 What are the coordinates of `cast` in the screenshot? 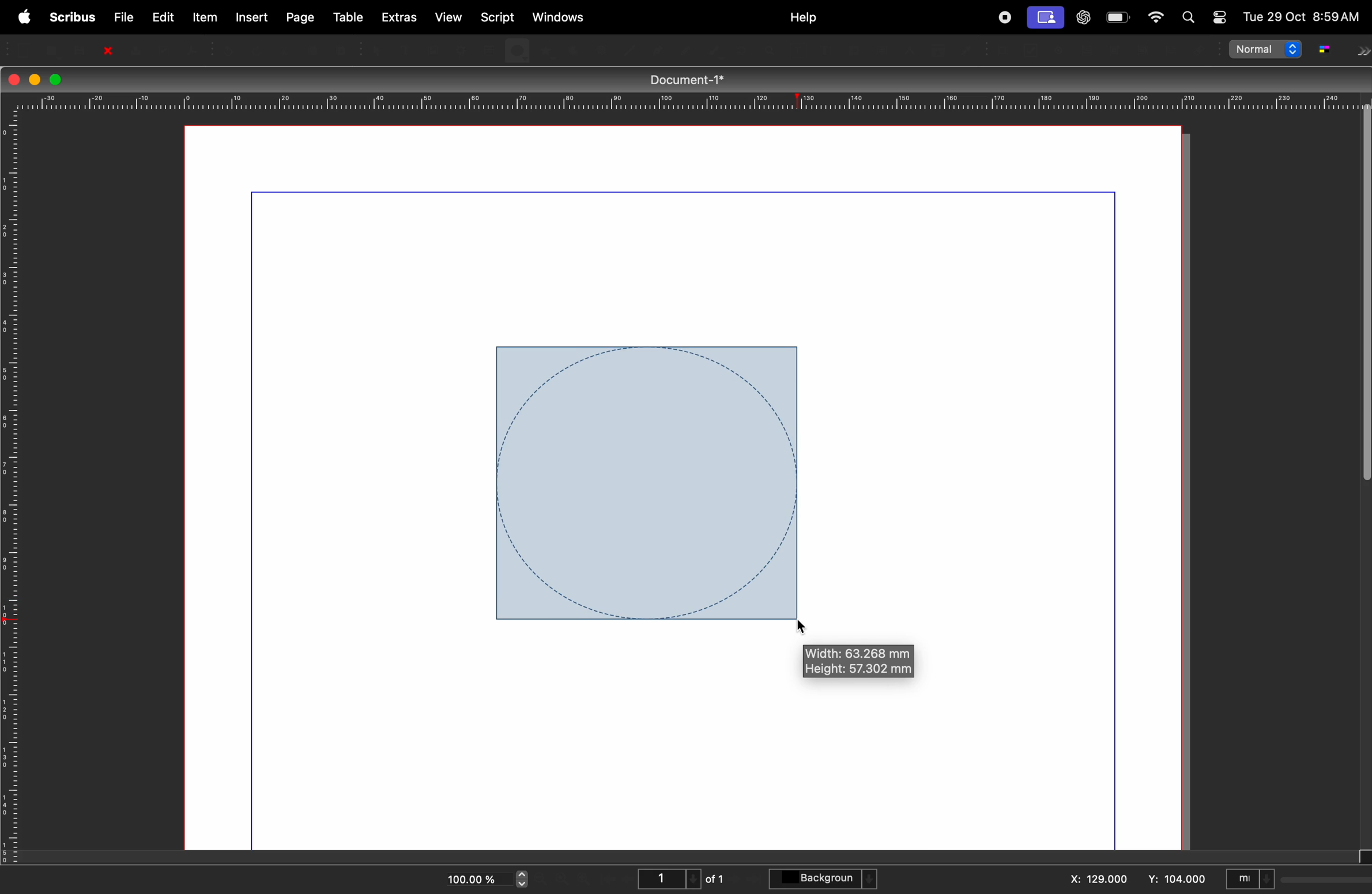 It's located at (1047, 18).